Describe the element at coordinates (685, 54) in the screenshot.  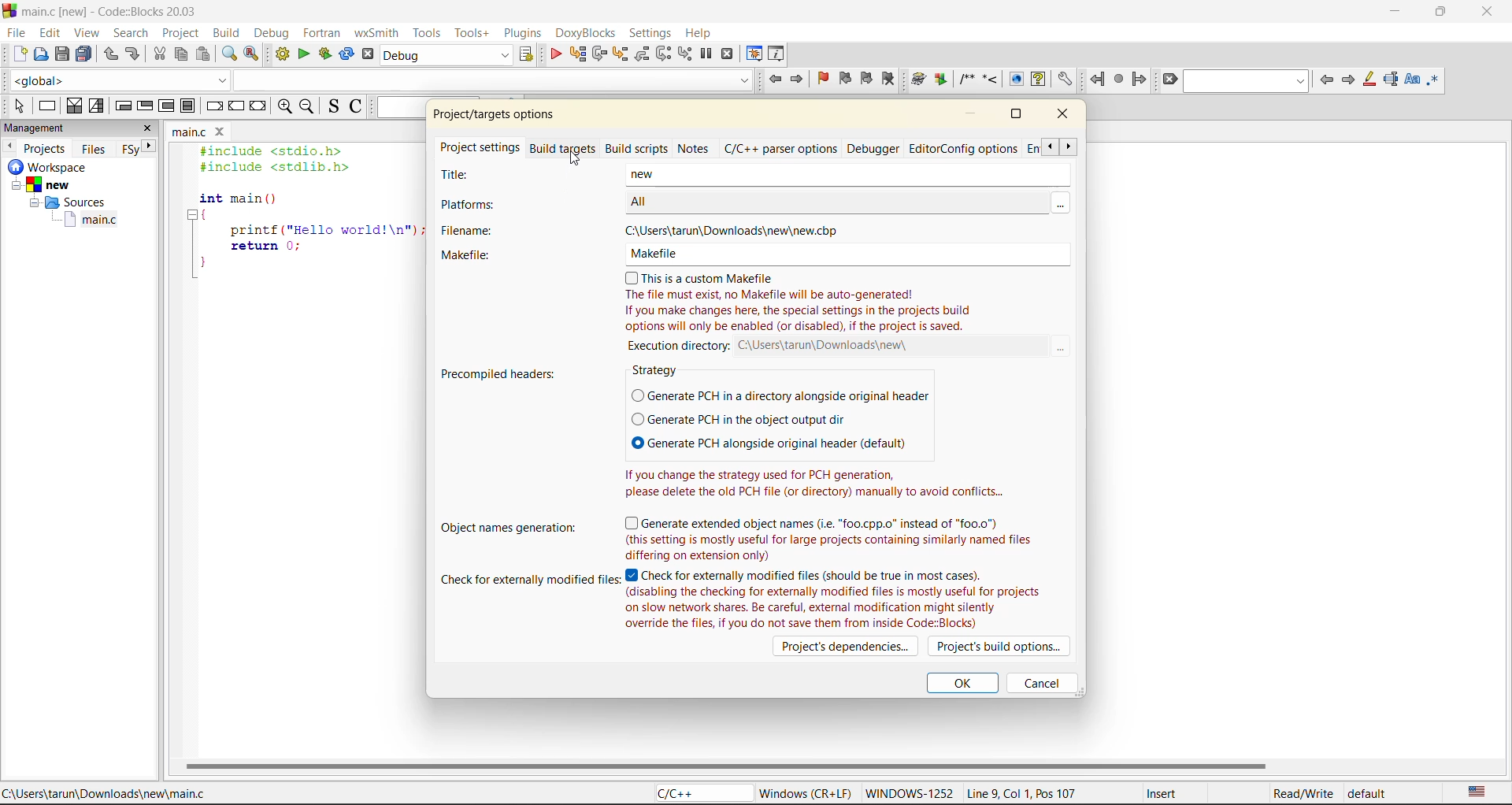
I see `step into instruction` at that location.